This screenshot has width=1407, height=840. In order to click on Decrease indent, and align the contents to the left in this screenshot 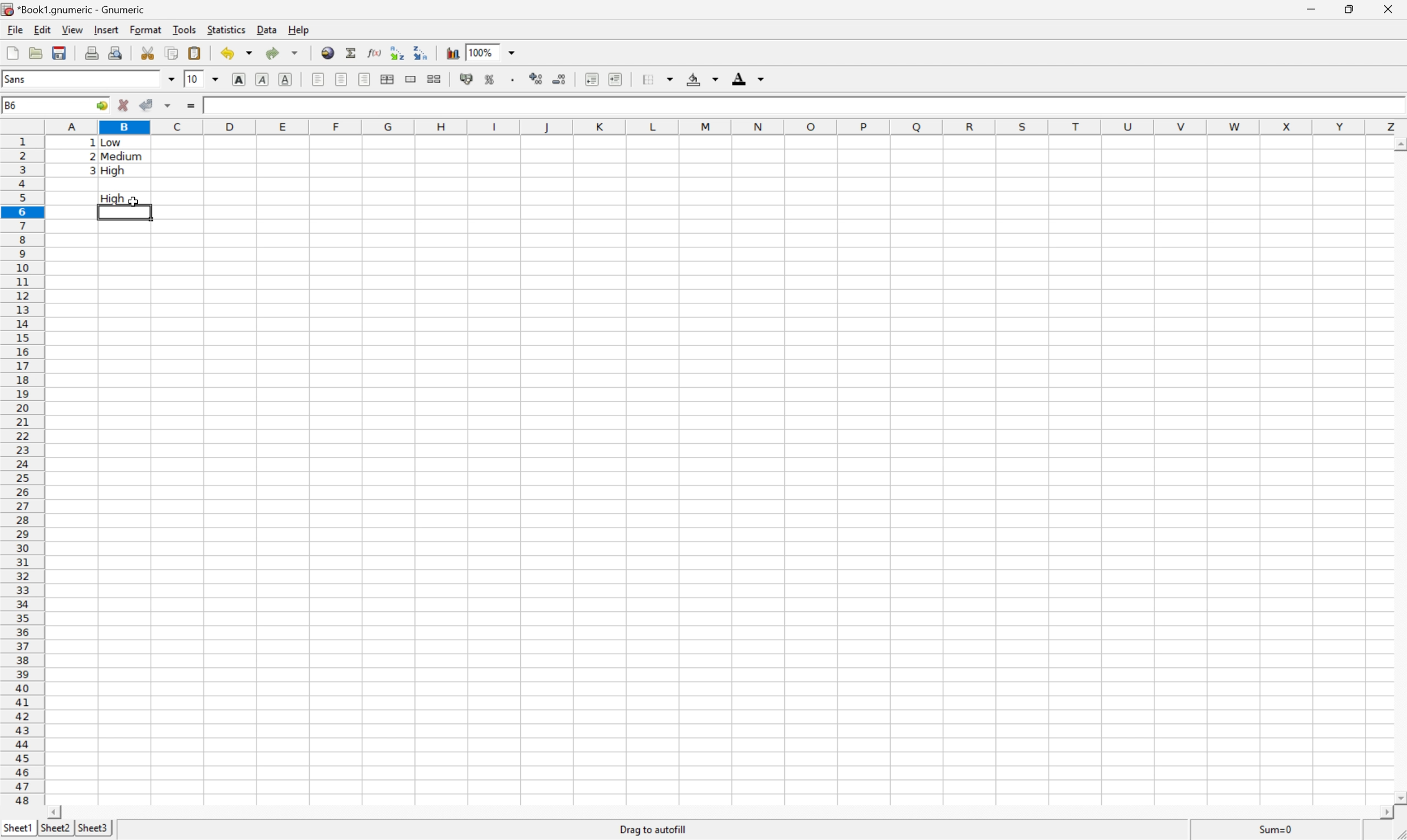, I will do `click(592, 79)`.